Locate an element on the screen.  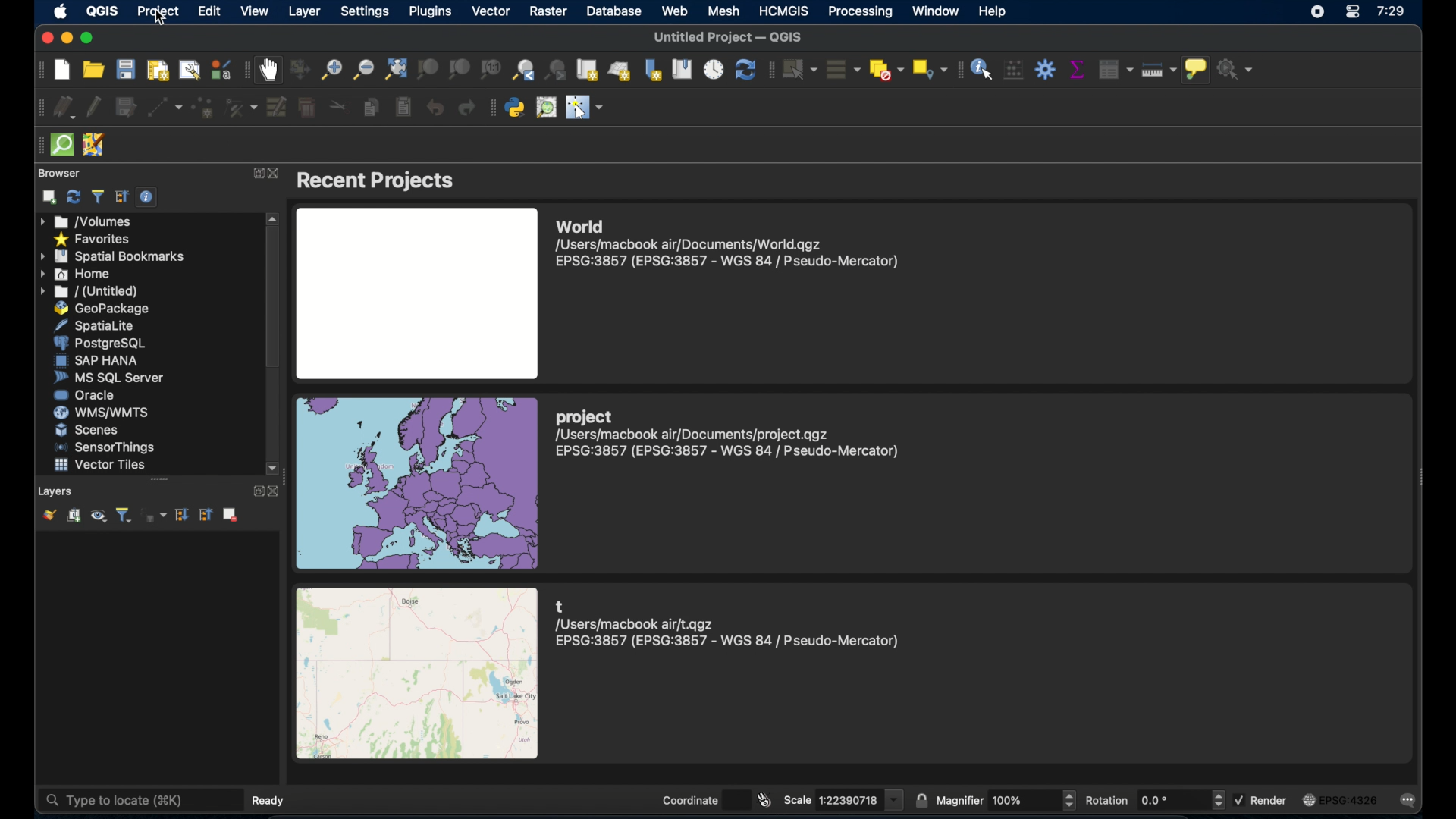
select by location is located at coordinates (929, 69).